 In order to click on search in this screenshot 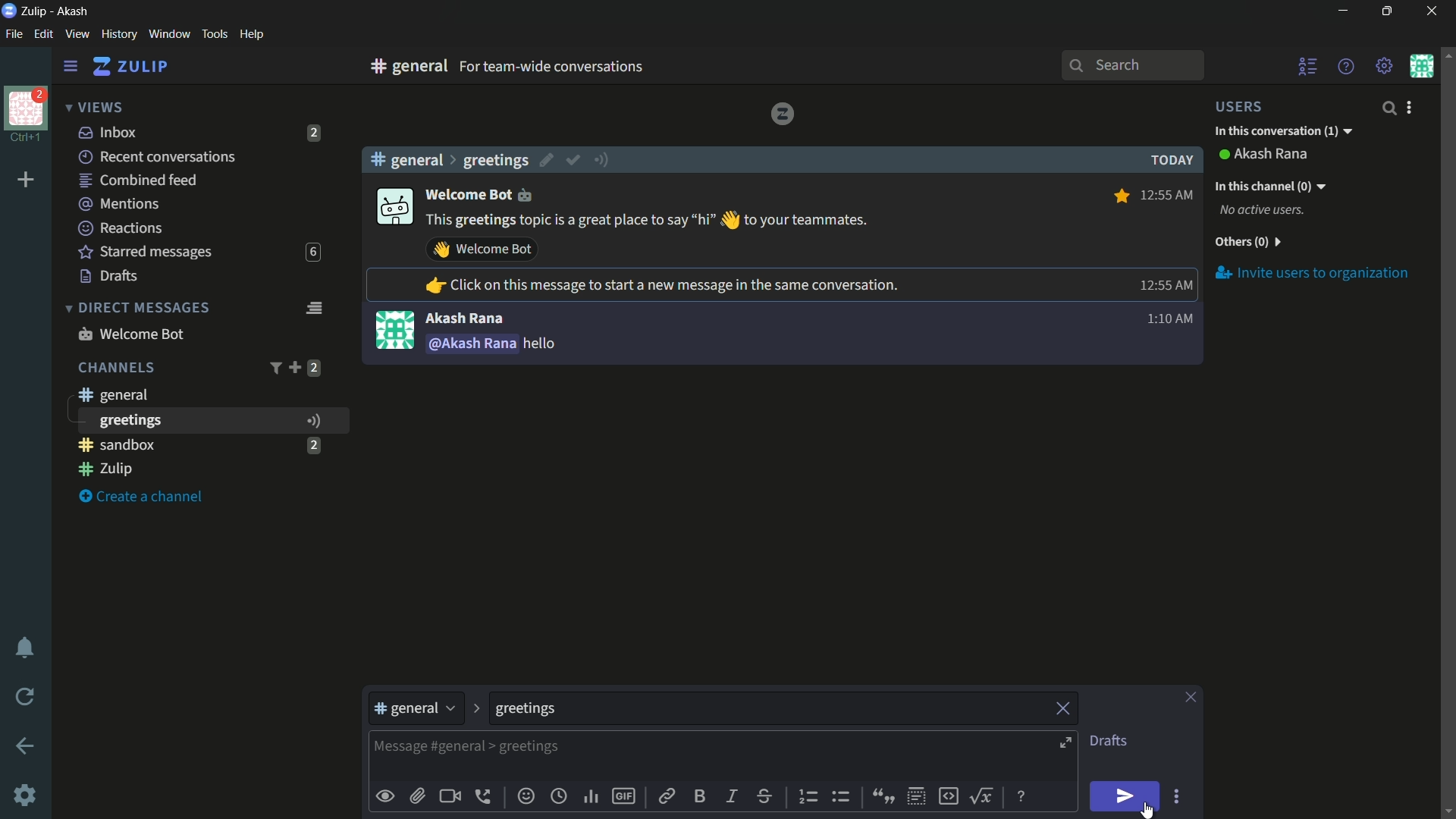, I will do `click(1388, 108)`.